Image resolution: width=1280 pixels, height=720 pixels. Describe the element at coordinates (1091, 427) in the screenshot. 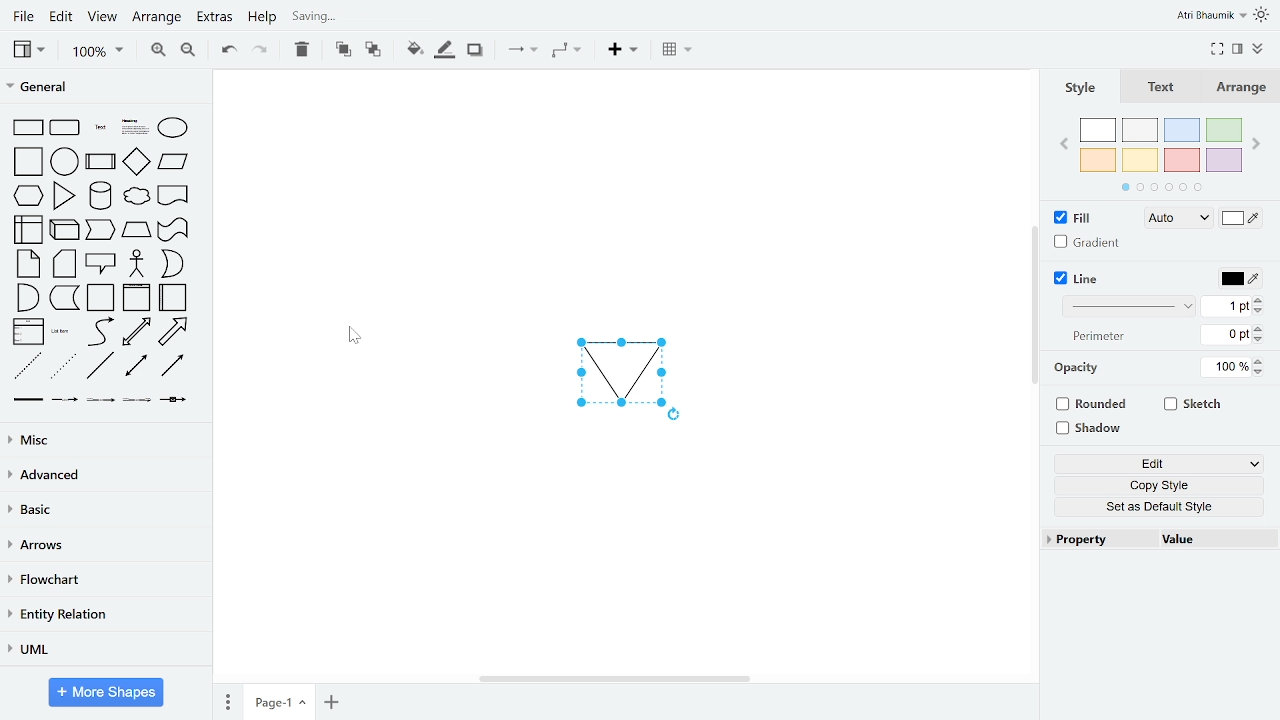

I see `shadow` at that location.